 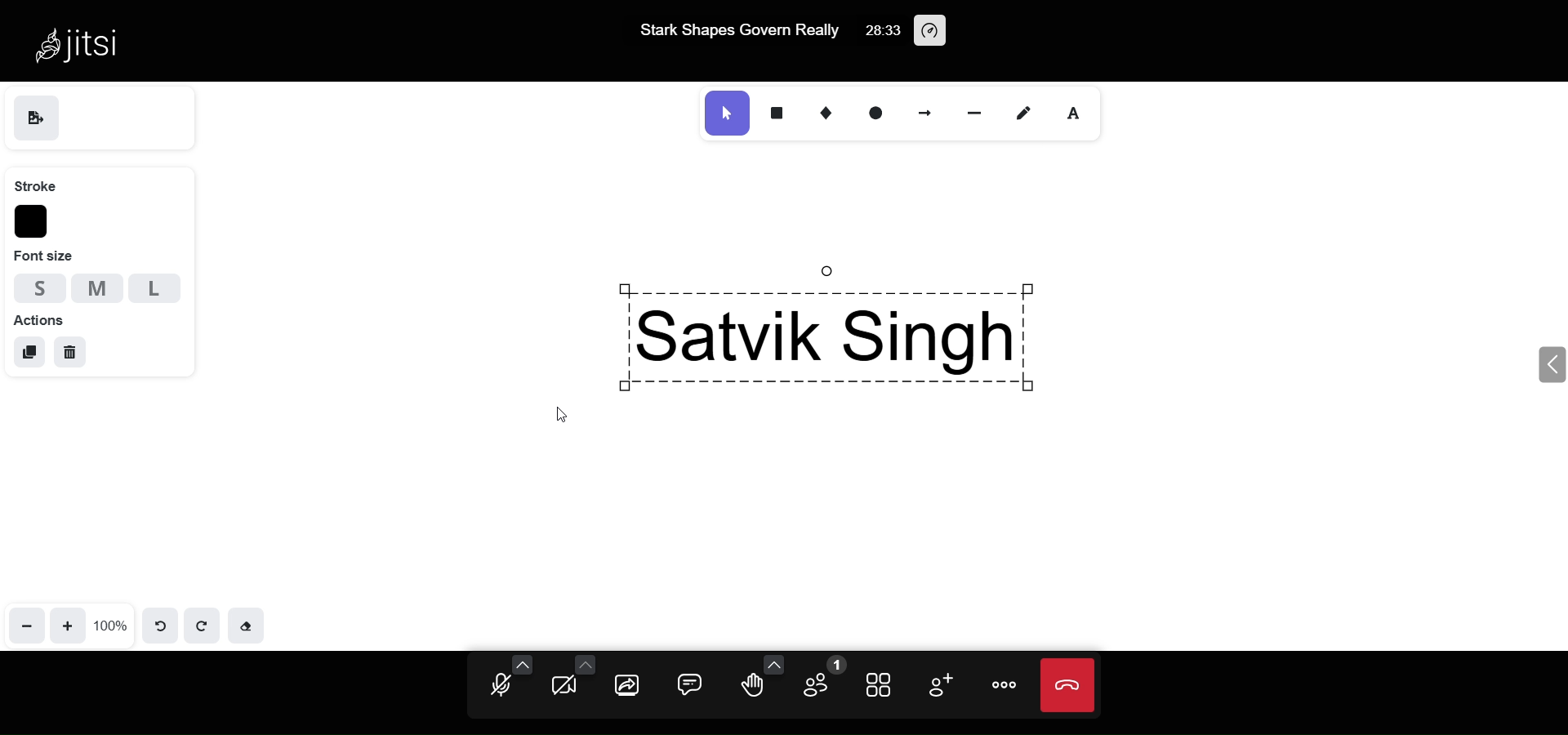 What do you see at coordinates (1067, 684) in the screenshot?
I see `leave meeting` at bounding box center [1067, 684].